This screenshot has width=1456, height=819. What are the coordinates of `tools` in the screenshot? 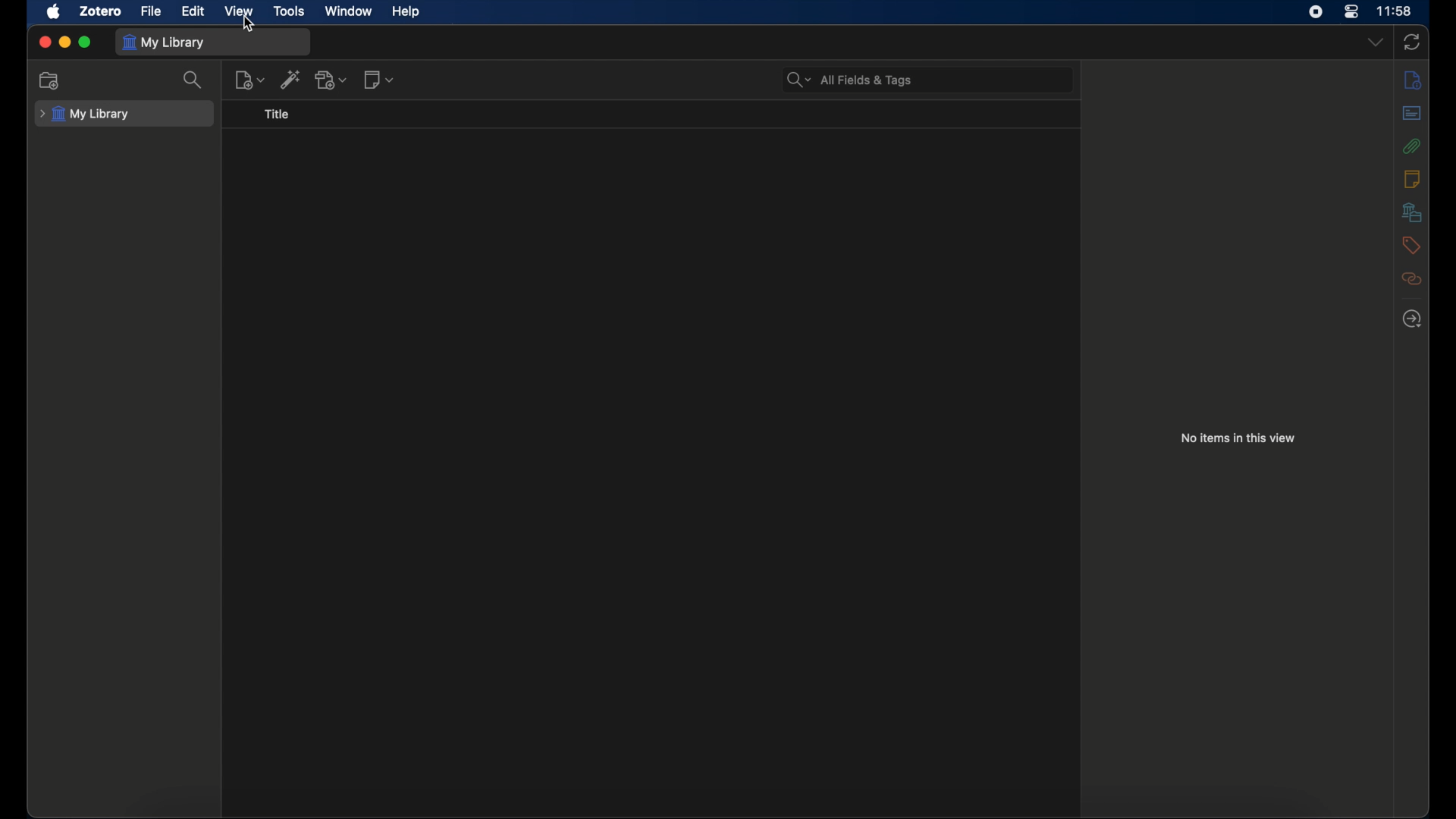 It's located at (290, 11).